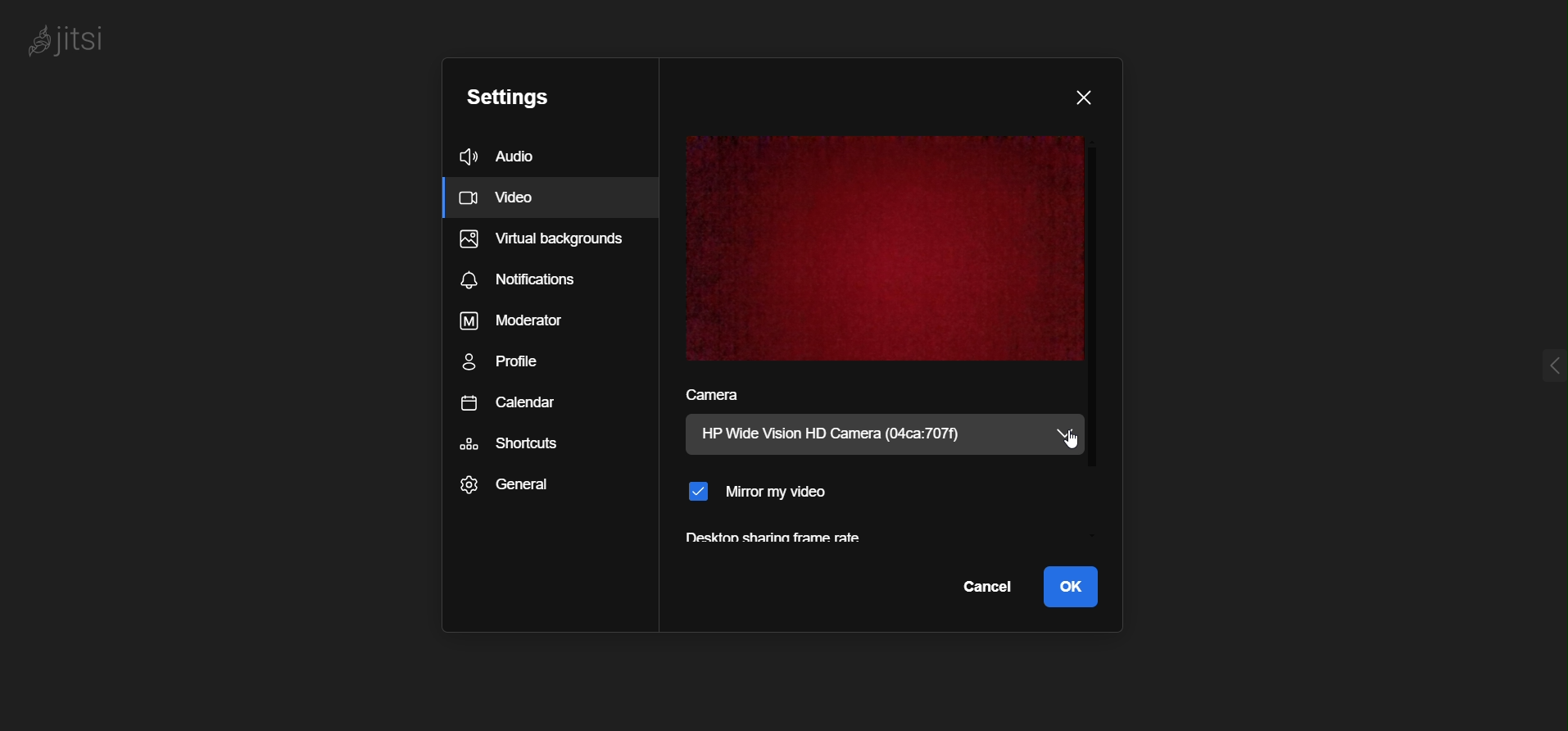  What do you see at coordinates (1076, 443) in the screenshot?
I see `cursor` at bounding box center [1076, 443].